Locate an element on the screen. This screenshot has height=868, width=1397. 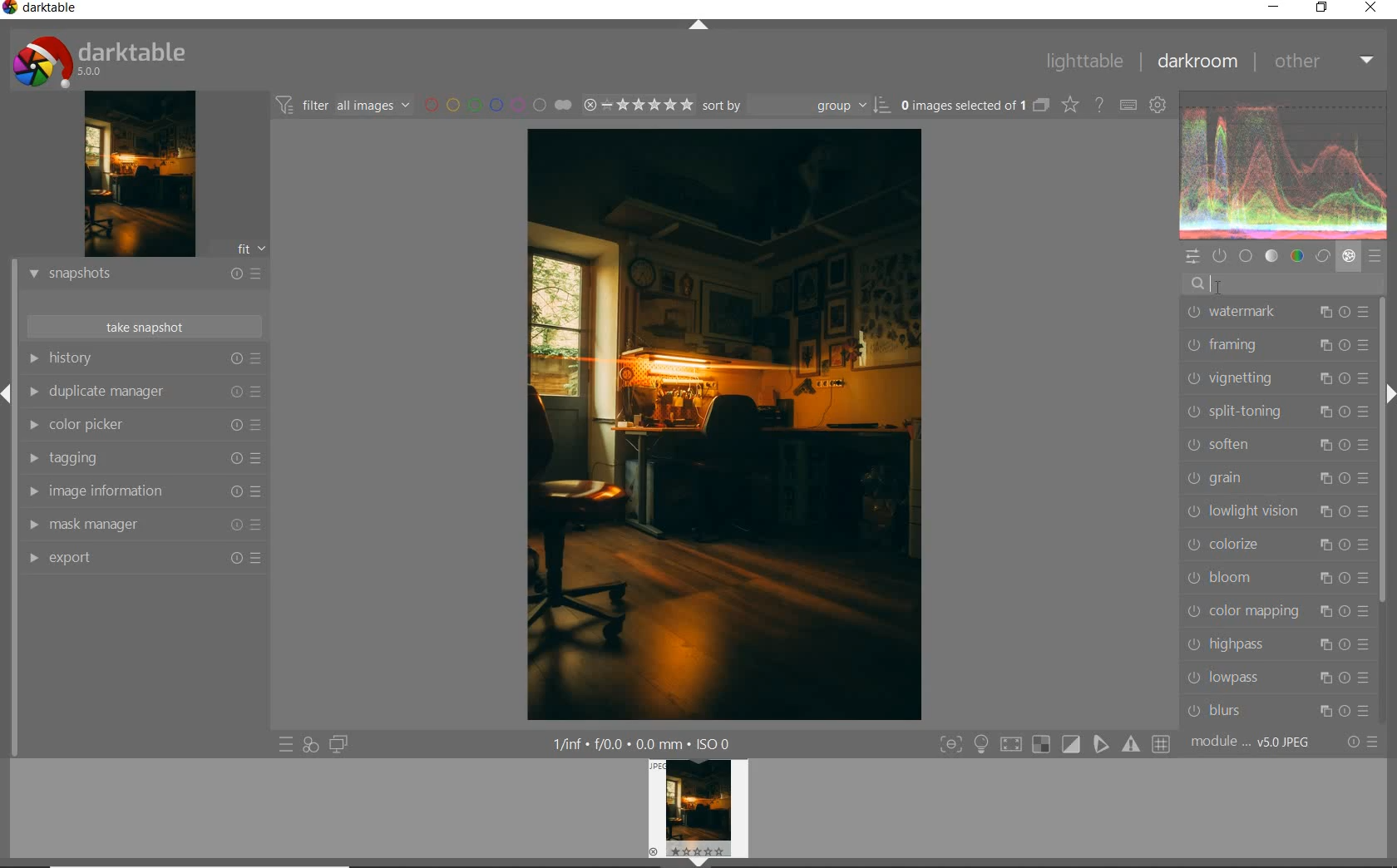
toggle modes is located at coordinates (1050, 743).